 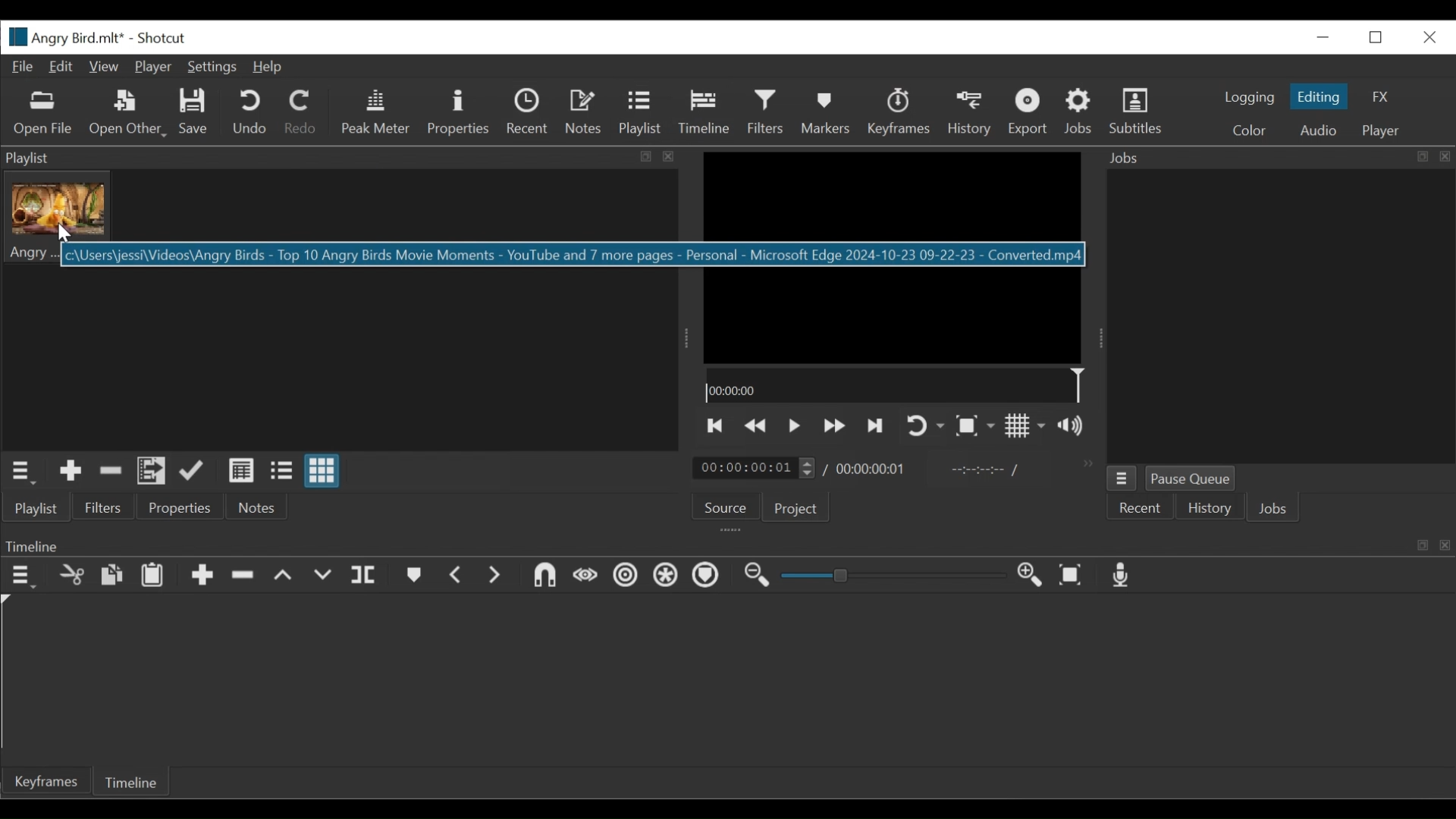 I want to click on Zoom timeline out , so click(x=762, y=575).